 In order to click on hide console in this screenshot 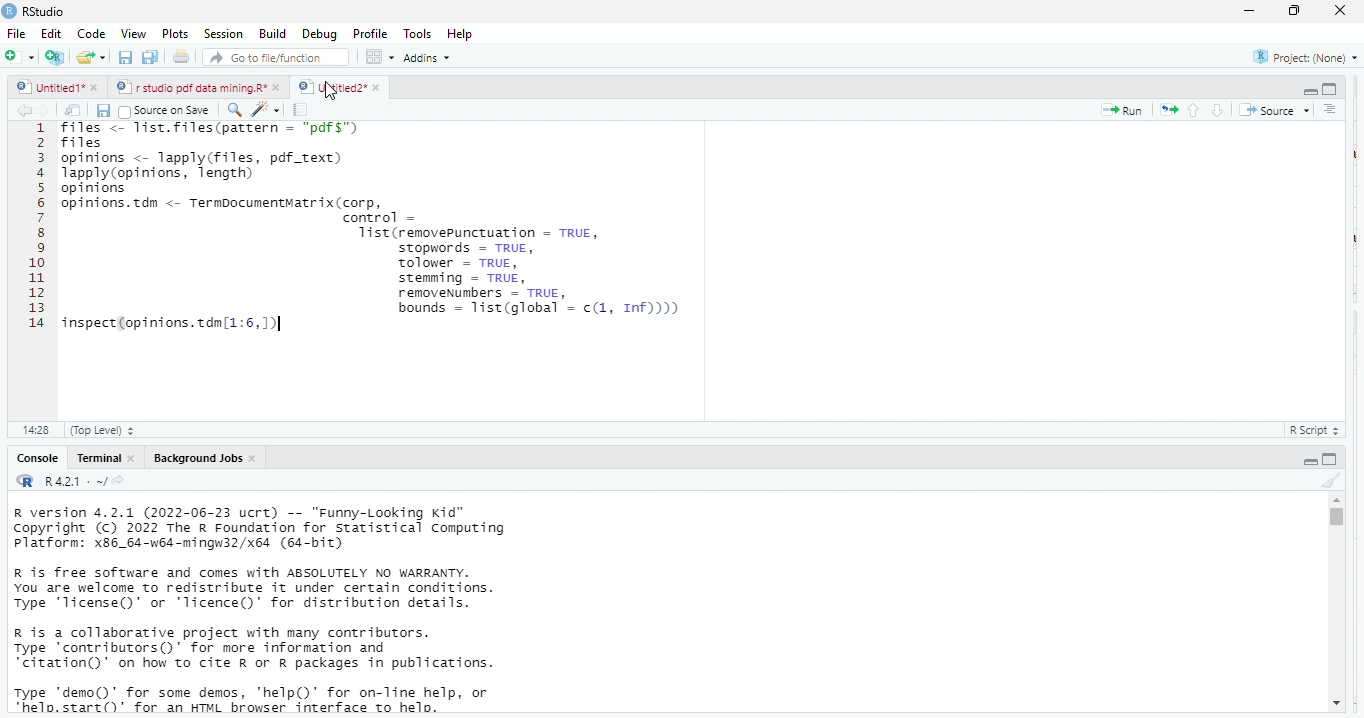, I will do `click(1331, 458)`.